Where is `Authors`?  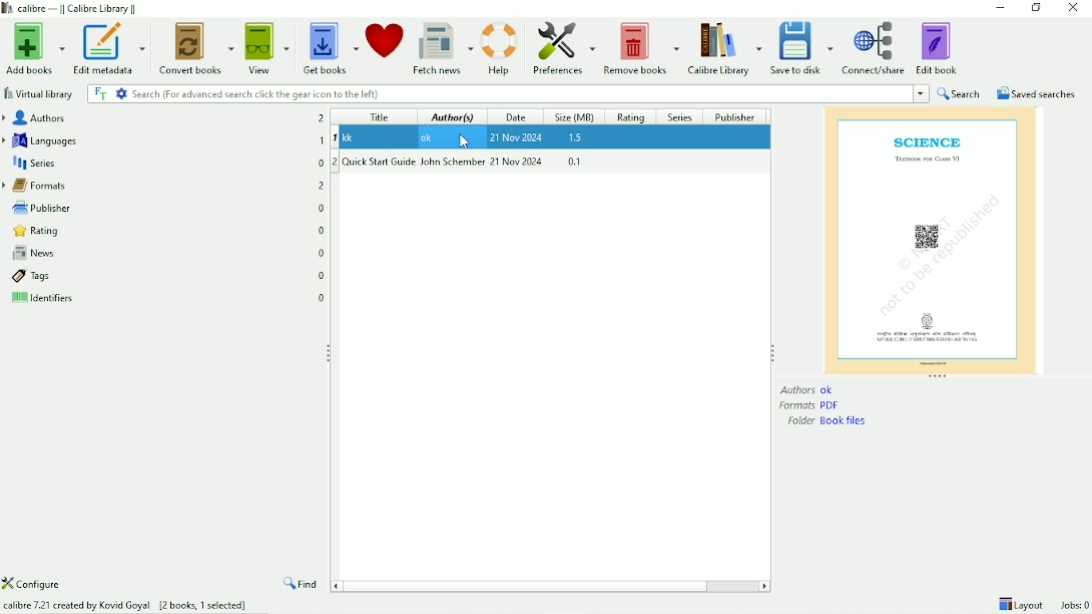 Authors is located at coordinates (165, 118).